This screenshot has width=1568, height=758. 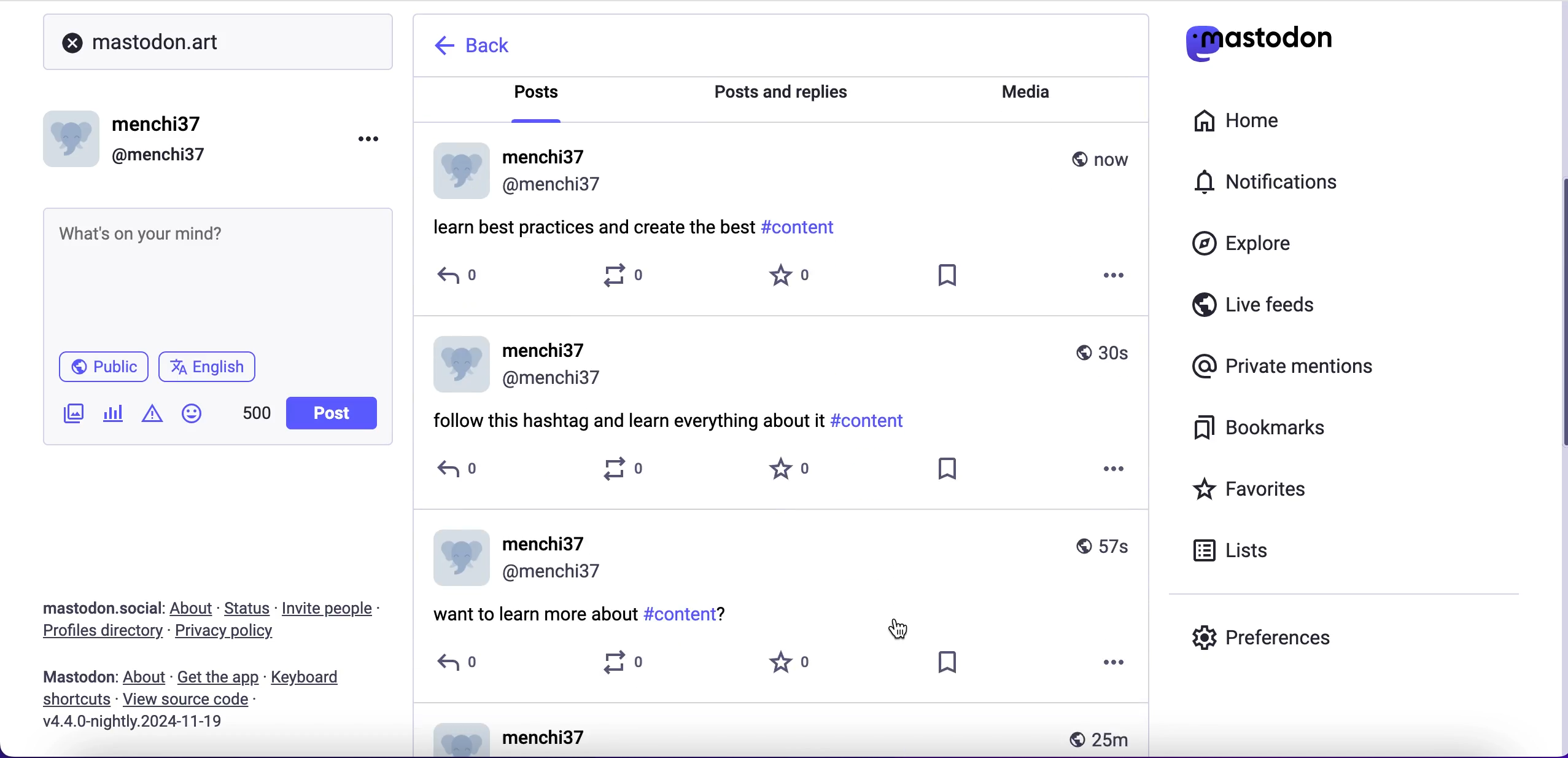 What do you see at coordinates (159, 125) in the screenshot?
I see `menchi37` at bounding box center [159, 125].